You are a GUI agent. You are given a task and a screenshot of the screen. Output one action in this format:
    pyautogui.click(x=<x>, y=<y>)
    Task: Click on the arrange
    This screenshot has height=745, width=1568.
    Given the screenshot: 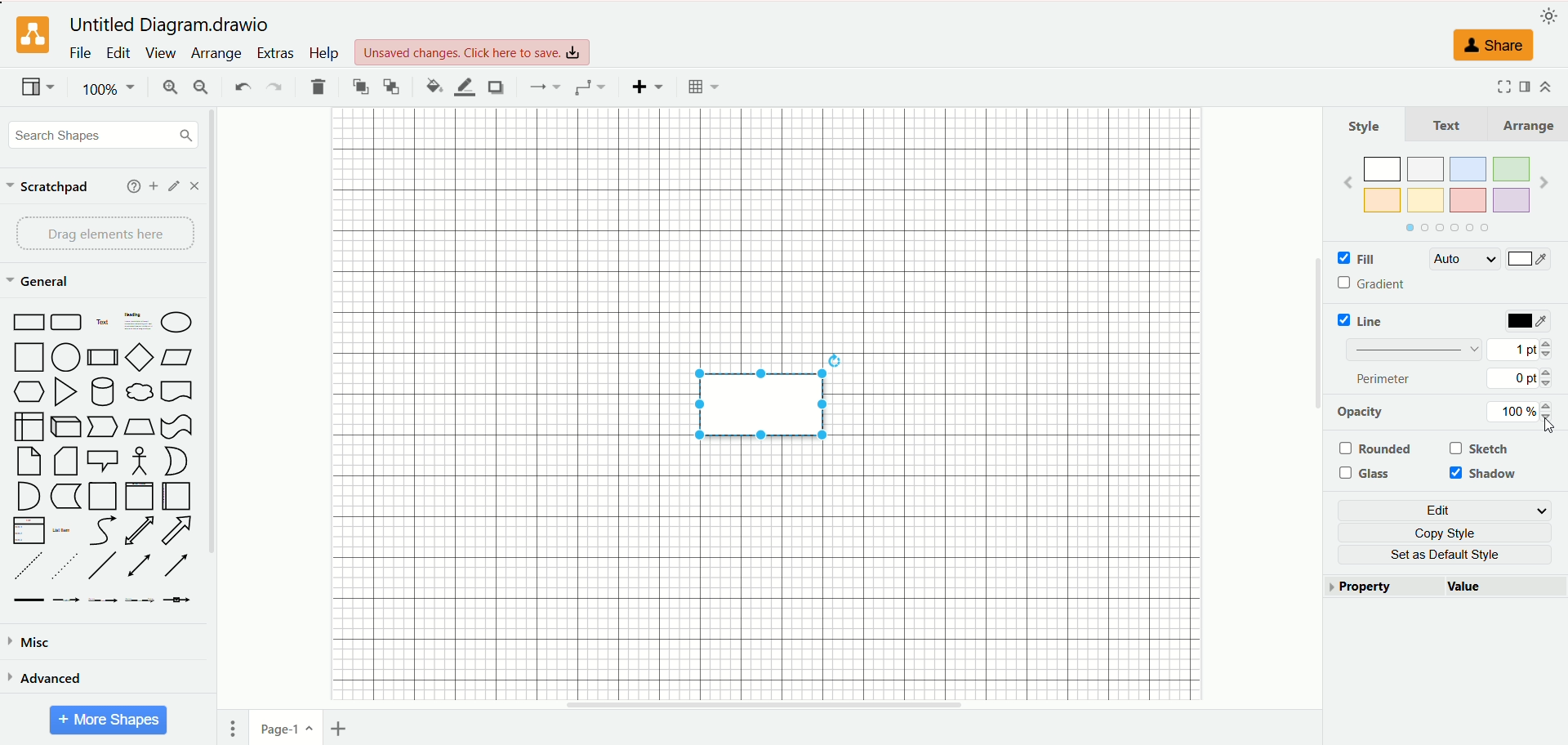 What is the action you would take?
    pyautogui.click(x=218, y=54)
    